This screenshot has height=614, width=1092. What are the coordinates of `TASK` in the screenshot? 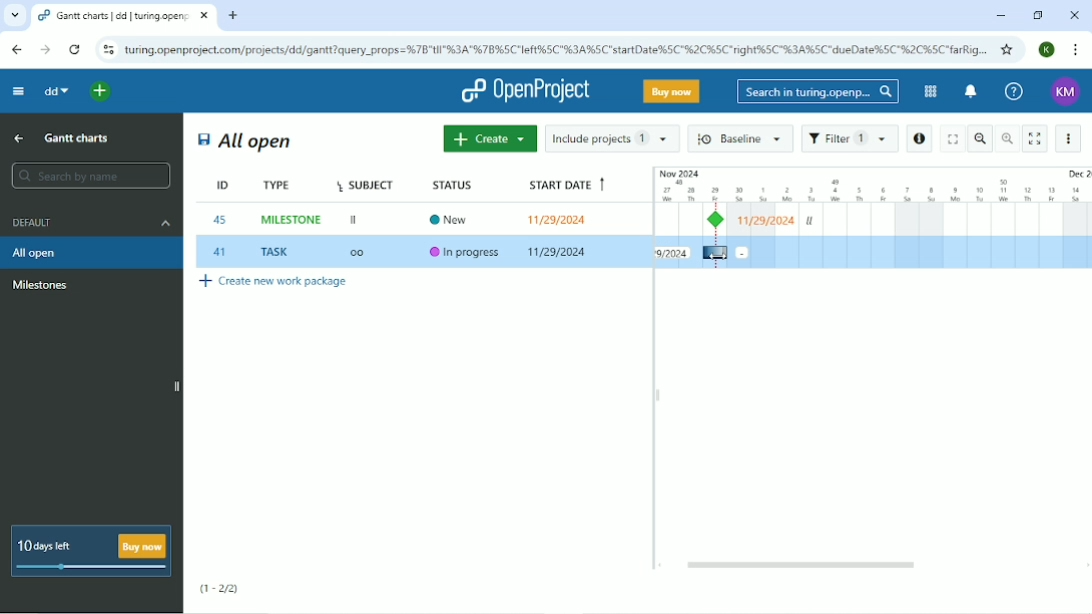 It's located at (278, 252).